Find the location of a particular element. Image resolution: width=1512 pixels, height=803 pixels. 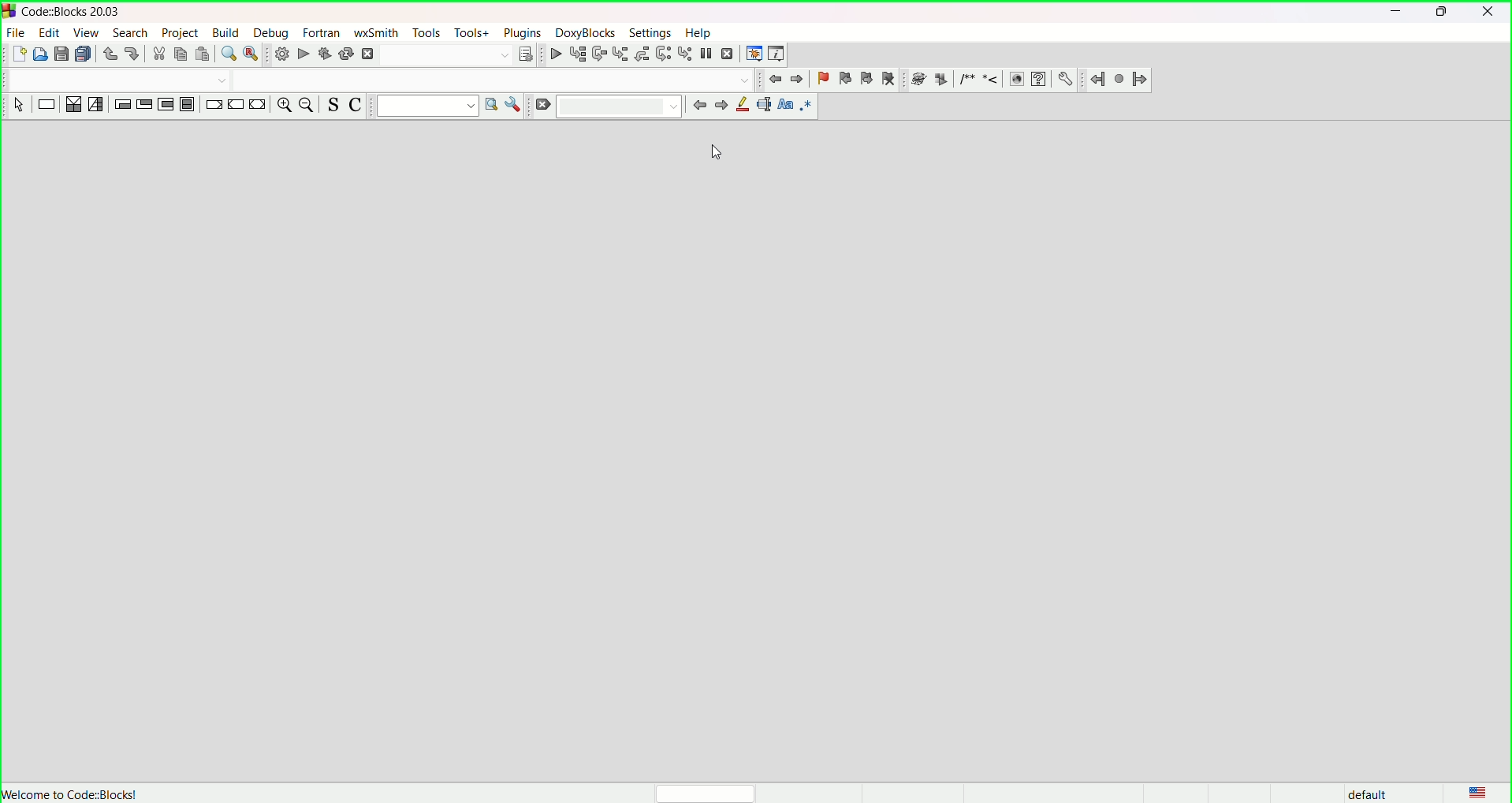

CodeBlocks::20.03 is located at coordinates (83, 12).